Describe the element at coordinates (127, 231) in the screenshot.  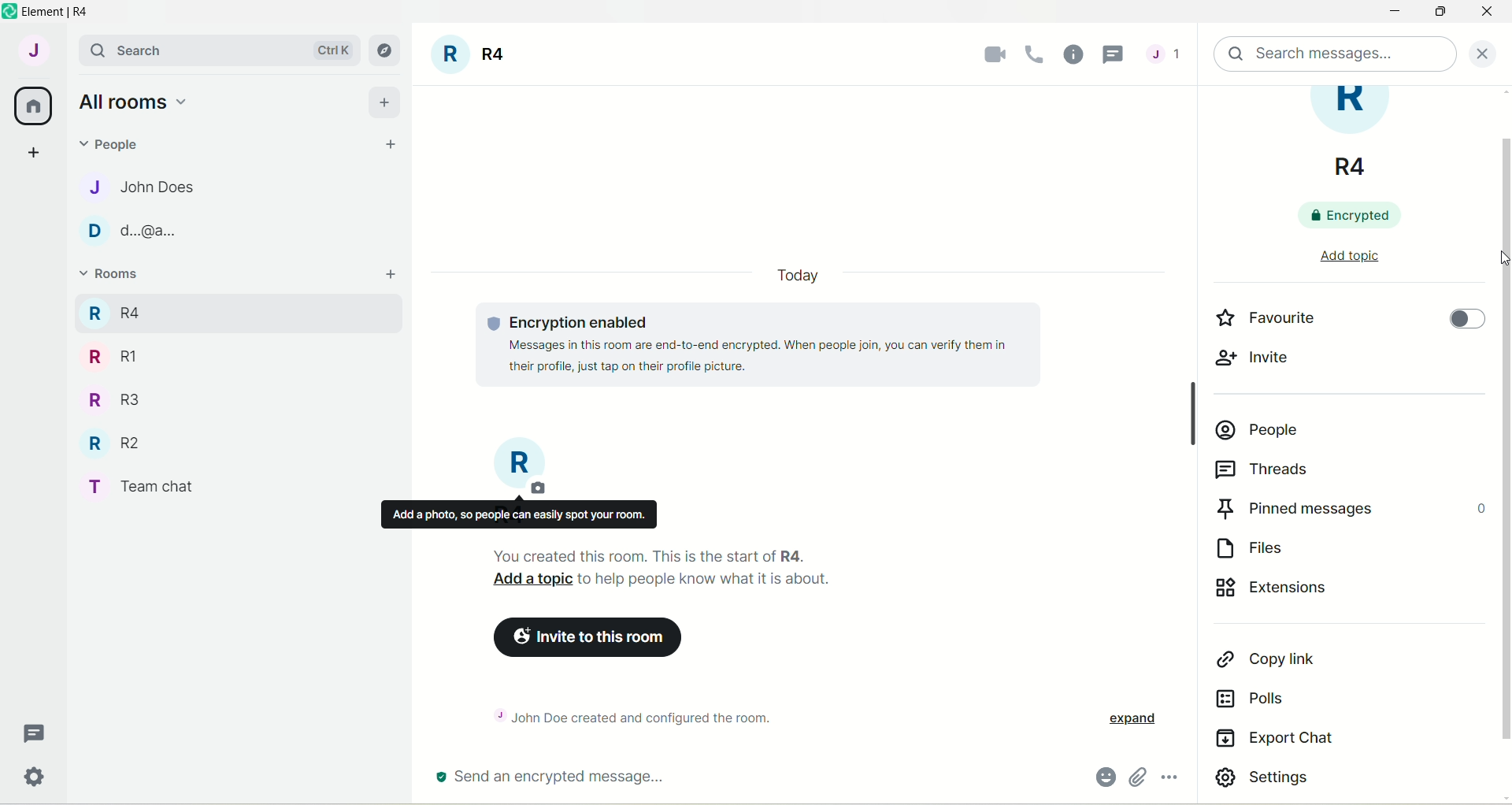
I see `D d.@a..` at that location.